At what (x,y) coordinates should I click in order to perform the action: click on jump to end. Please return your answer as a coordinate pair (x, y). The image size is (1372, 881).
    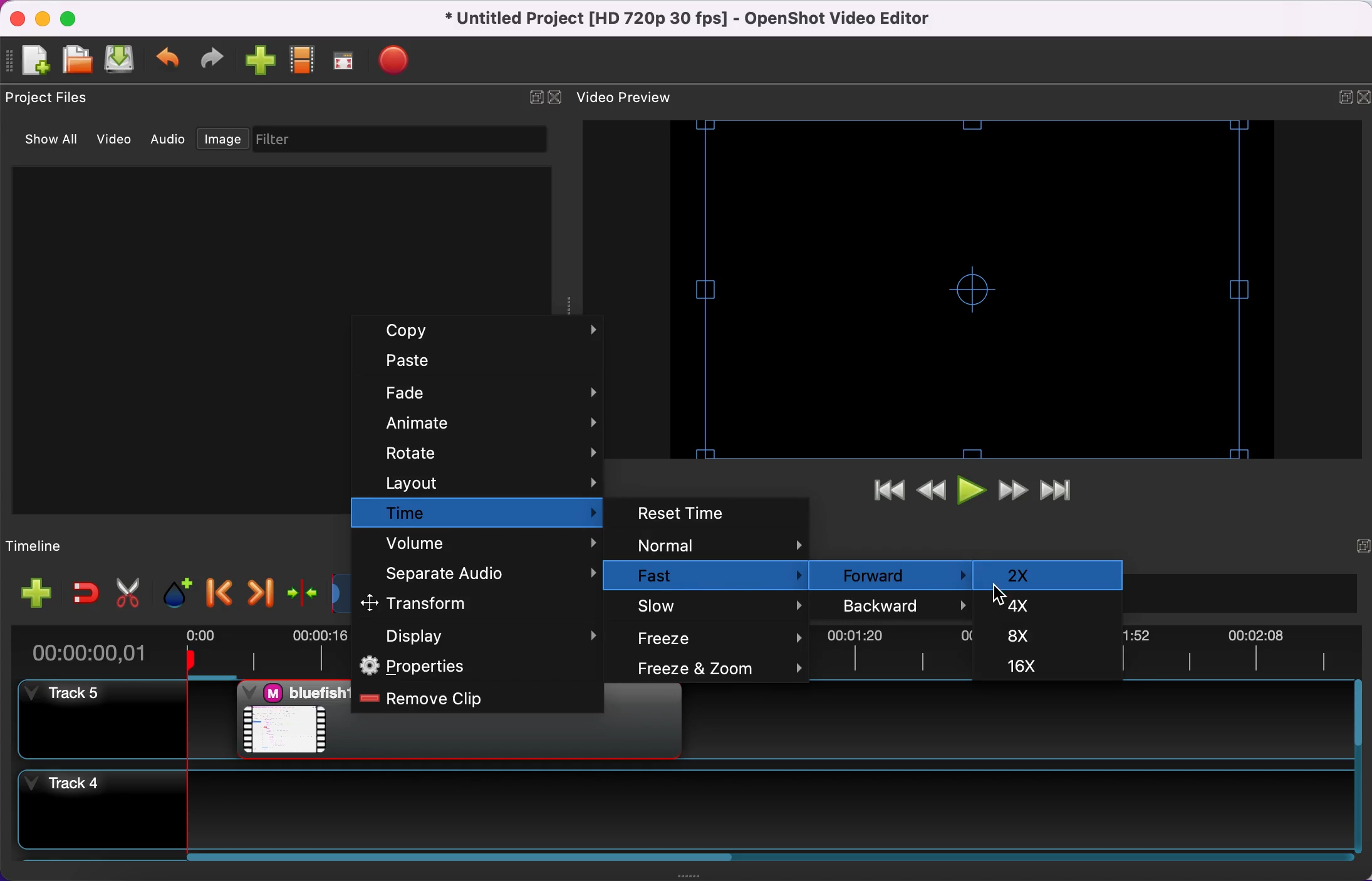
    Looking at the image, I should click on (1064, 489).